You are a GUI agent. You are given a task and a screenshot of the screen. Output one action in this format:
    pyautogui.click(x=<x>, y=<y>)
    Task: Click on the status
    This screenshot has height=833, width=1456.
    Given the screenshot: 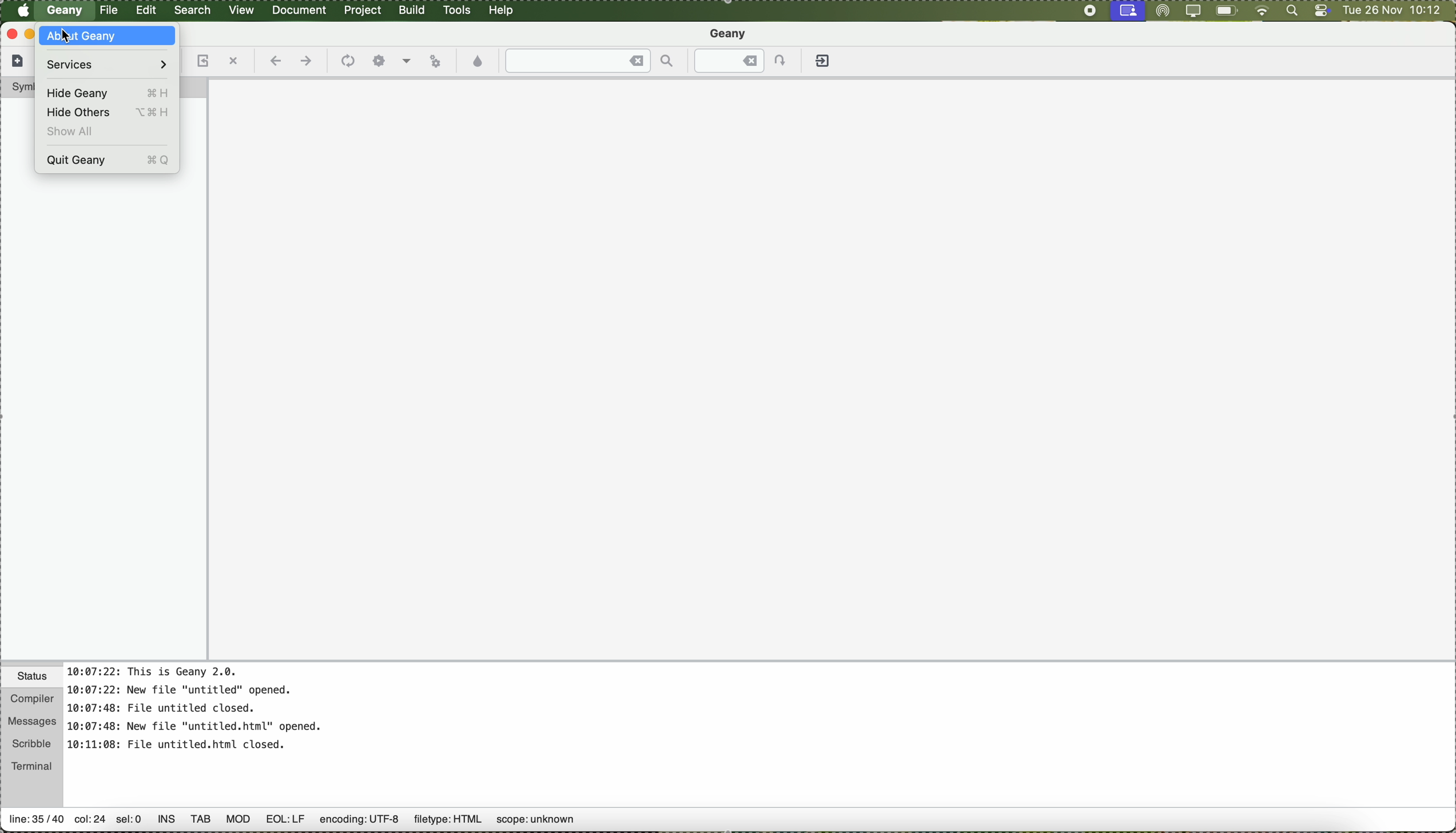 What is the action you would take?
    pyautogui.click(x=32, y=675)
    